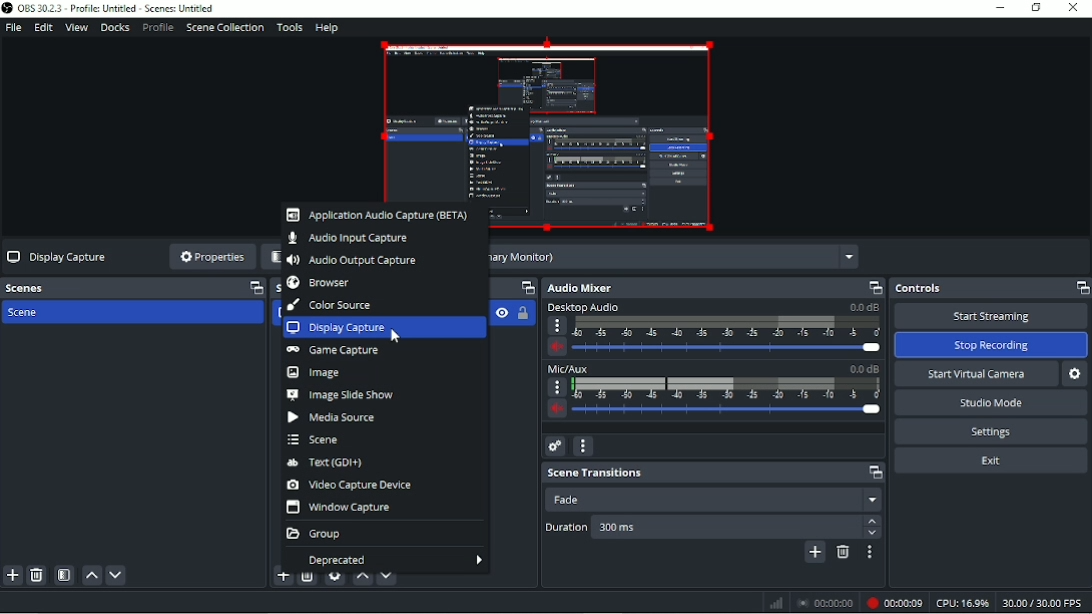 The image size is (1092, 614). Describe the element at coordinates (348, 240) in the screenshot. I see `Audio input capture` at that location.